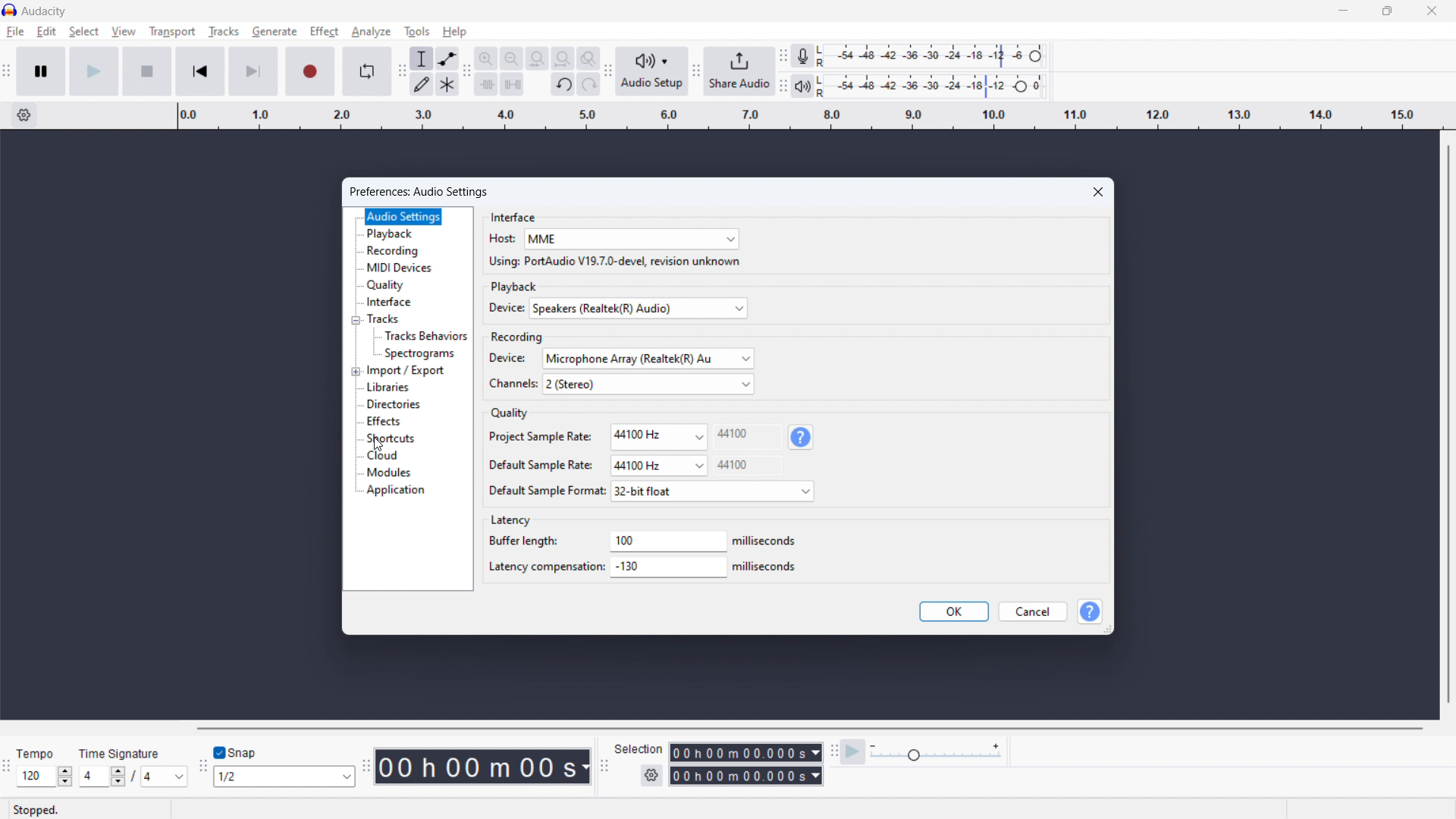  Describe the element at coordinates (511, 412) in the screenshot. I see `quality` at that location.